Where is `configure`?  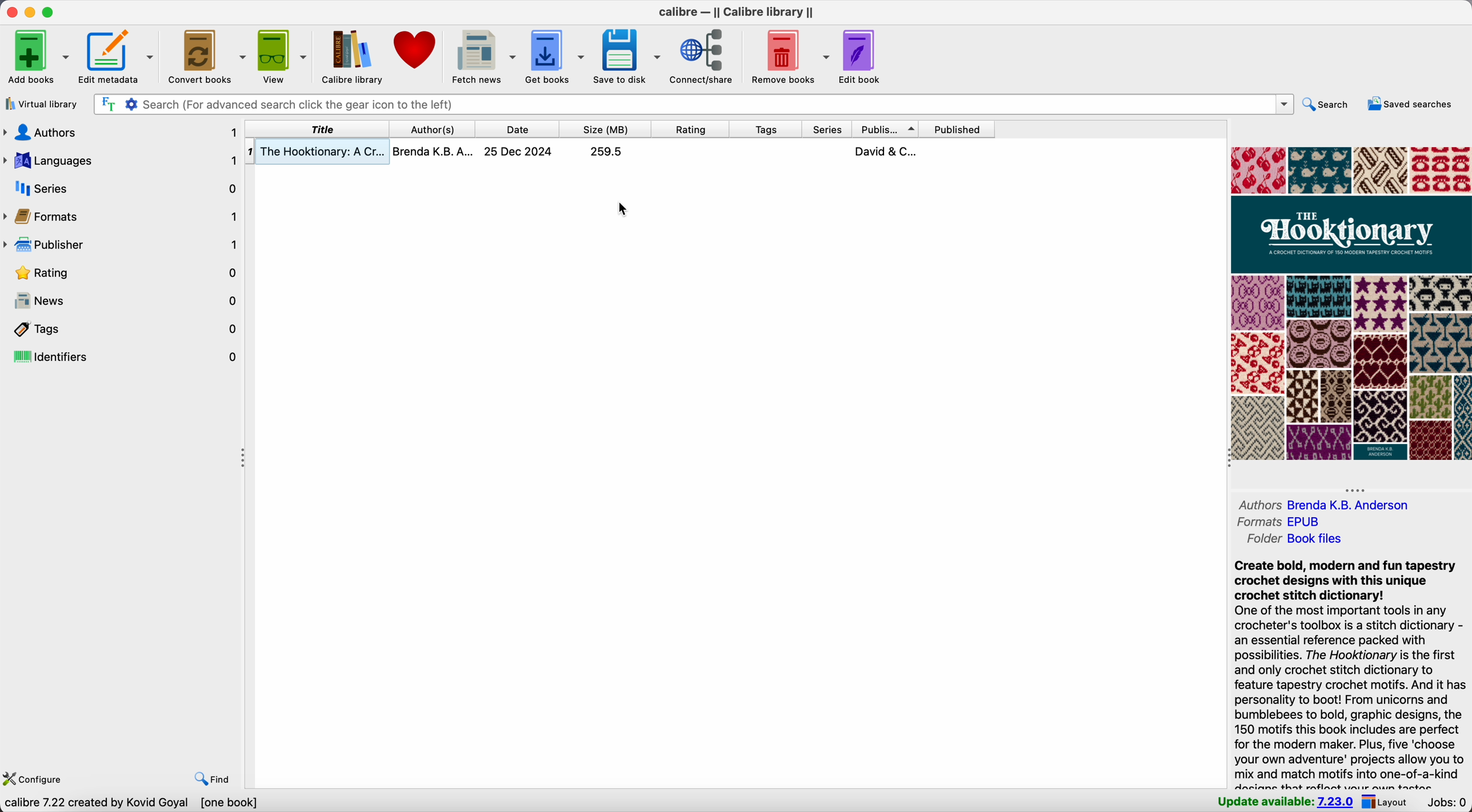 configure is located at coordinates (32, 779).